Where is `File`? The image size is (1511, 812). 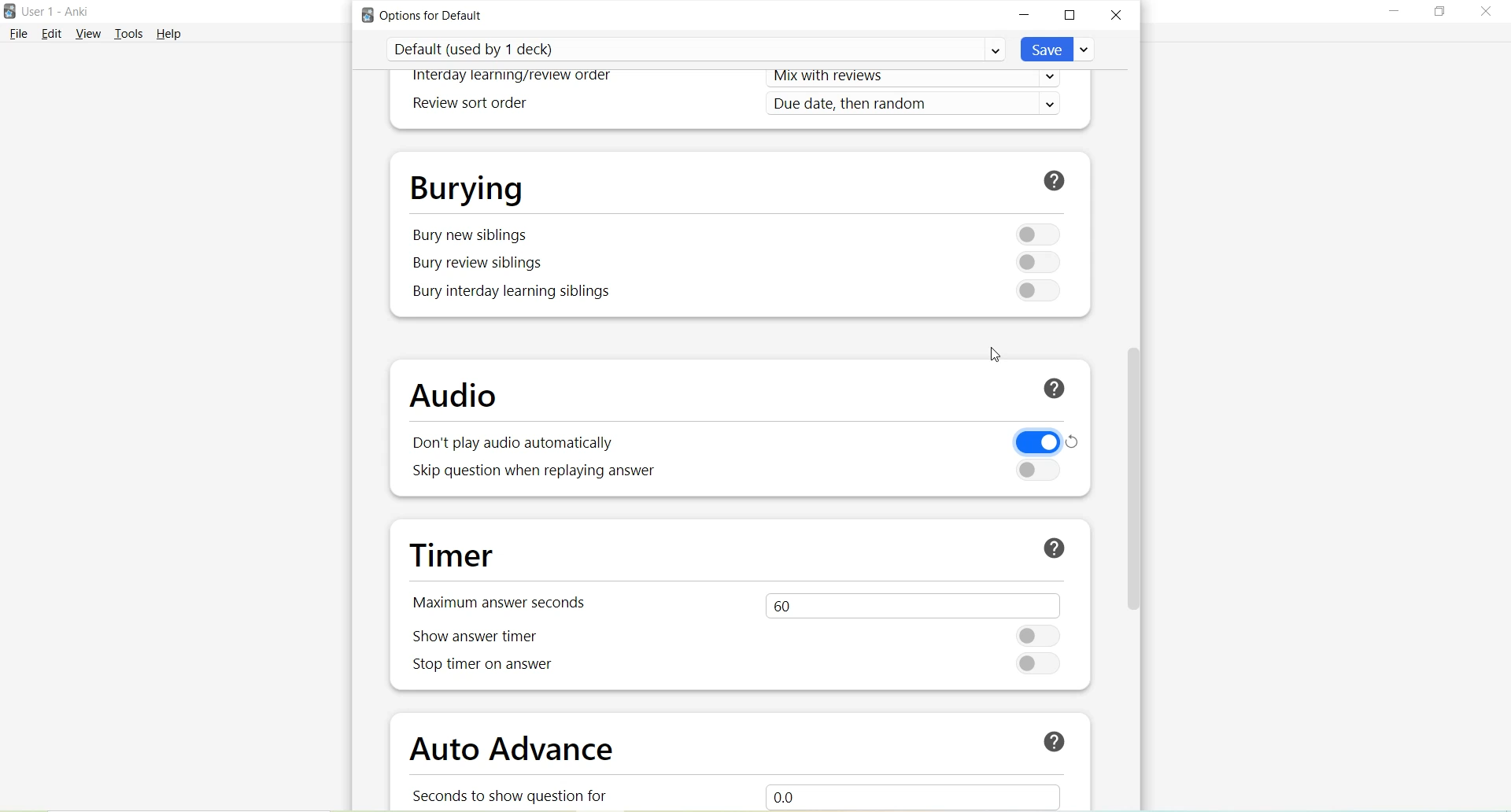
File is located at coordinates (18, 33).